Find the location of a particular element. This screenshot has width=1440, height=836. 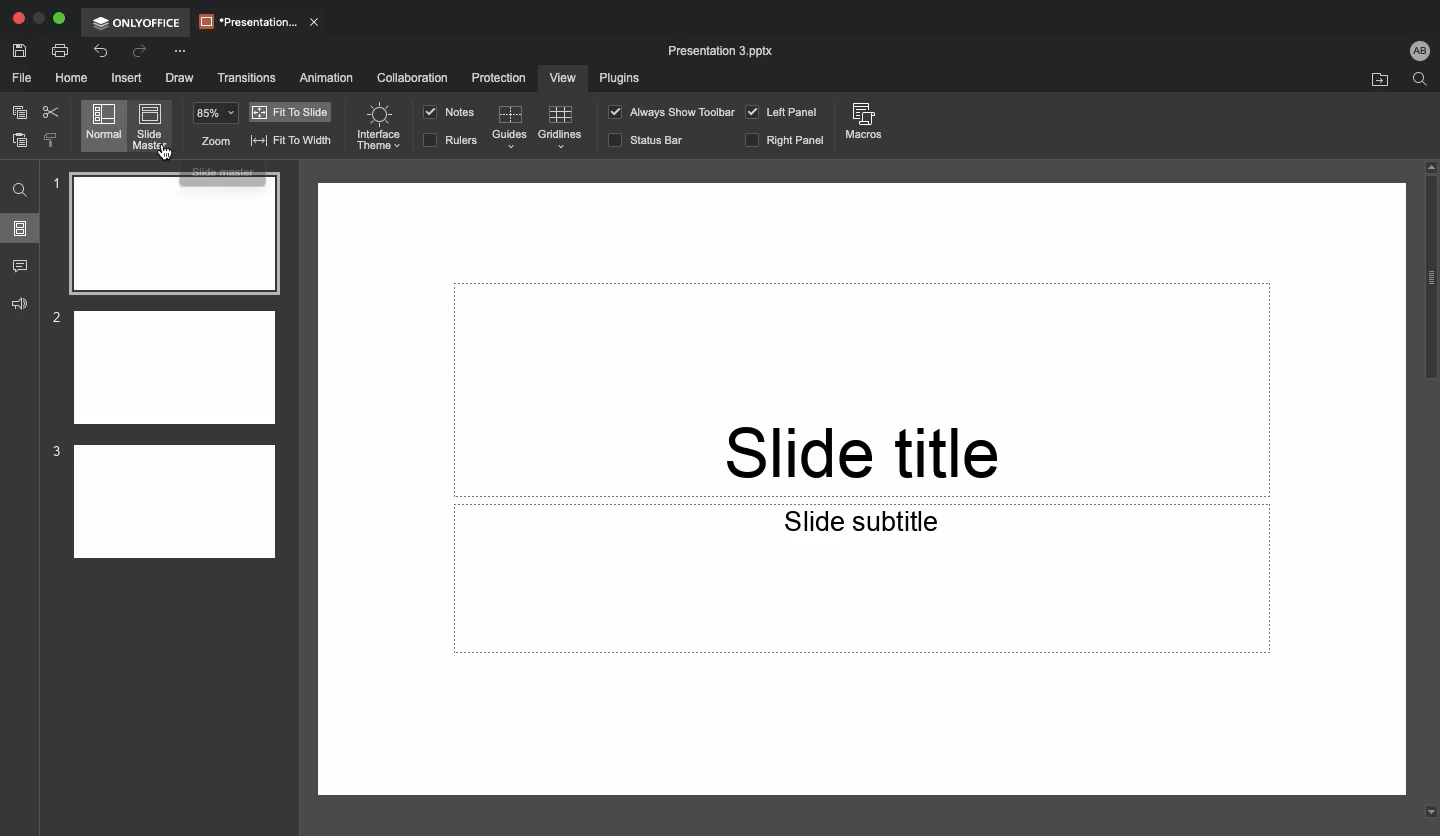

Fit to slide is located at coordinates (290, 110).